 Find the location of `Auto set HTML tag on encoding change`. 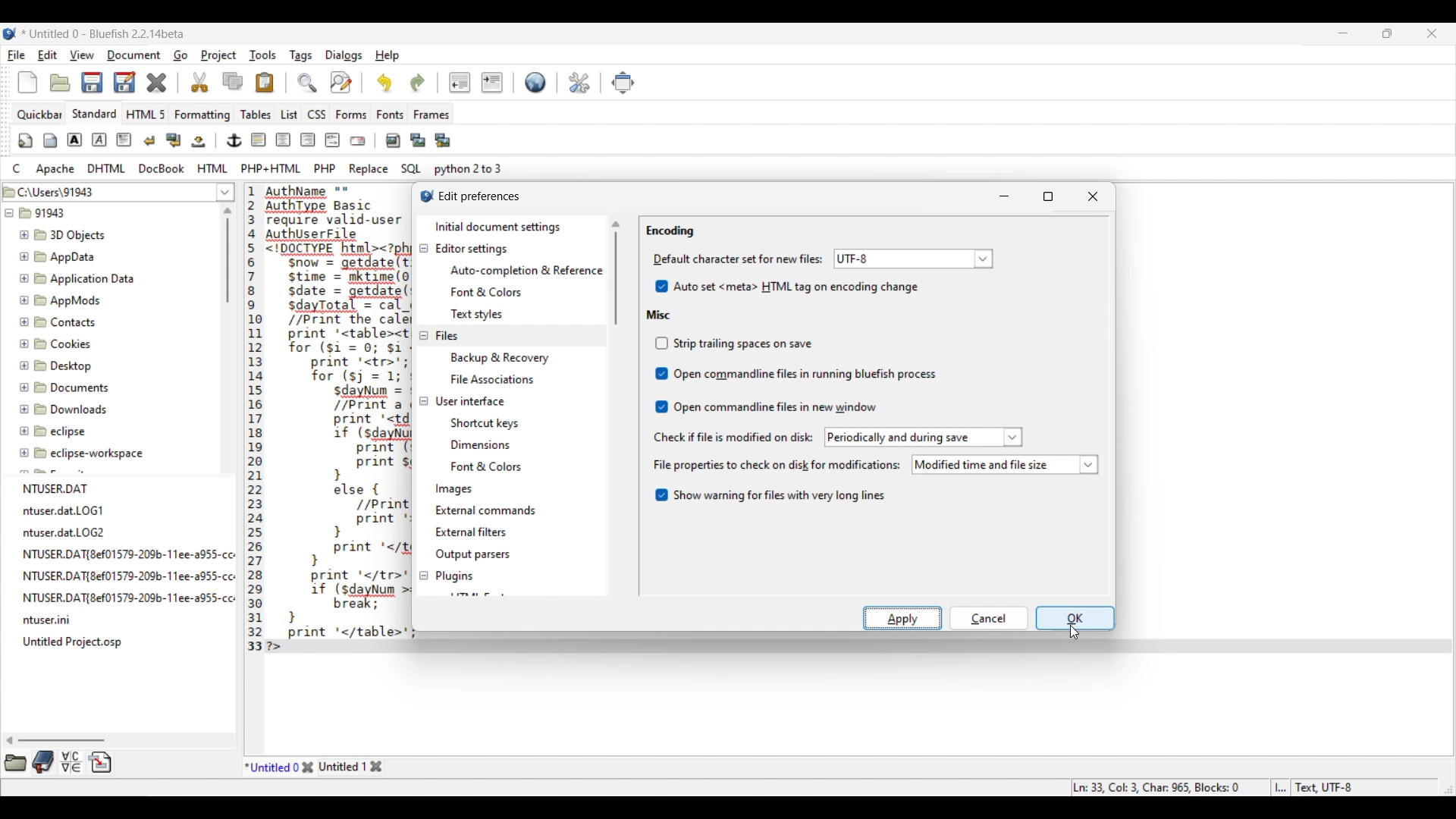

Auto set HTML tag on encoding change is located at coordinates (788, 285).